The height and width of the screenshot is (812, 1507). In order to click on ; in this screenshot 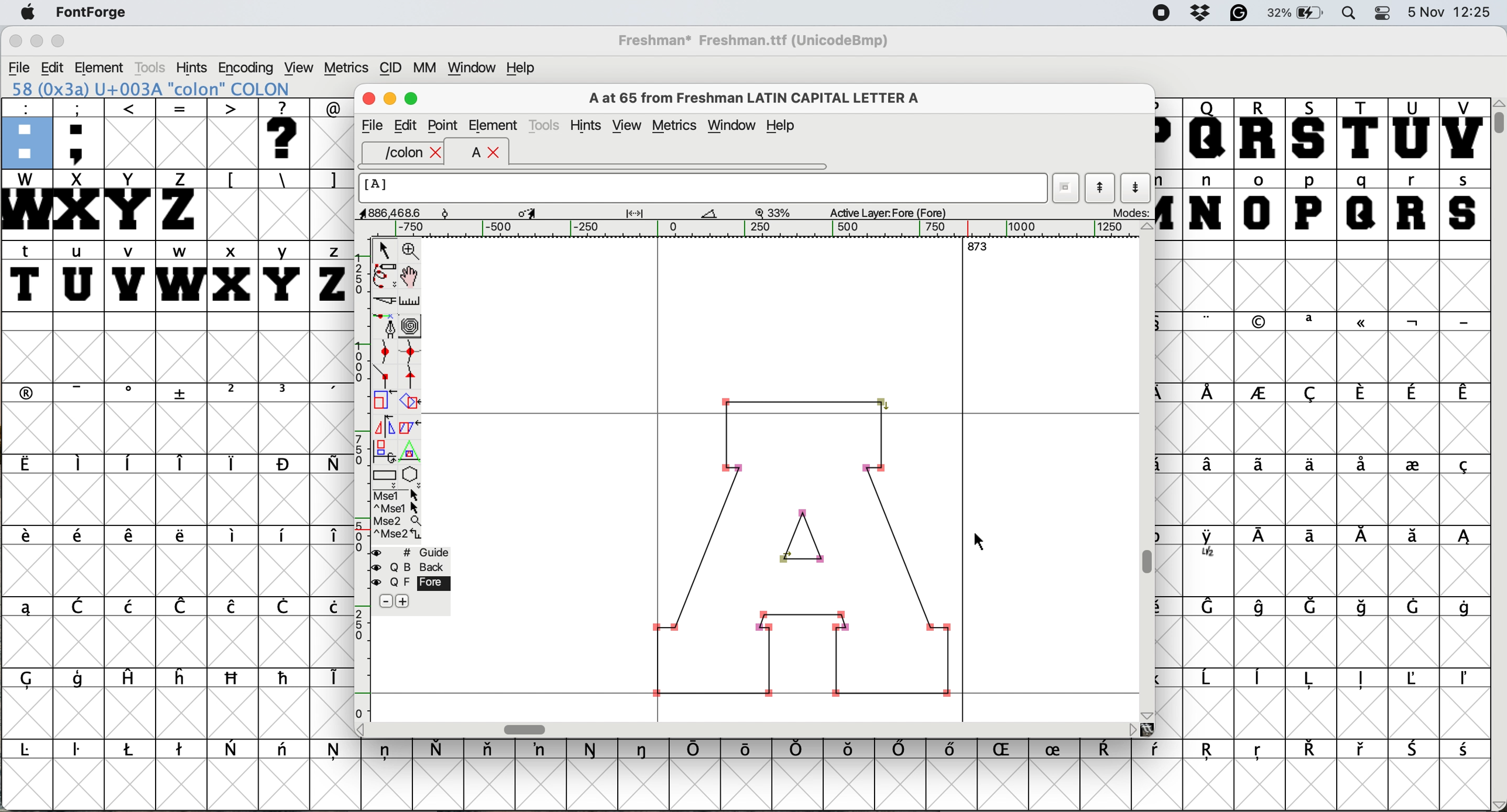, I will do `click(80, 133)`.